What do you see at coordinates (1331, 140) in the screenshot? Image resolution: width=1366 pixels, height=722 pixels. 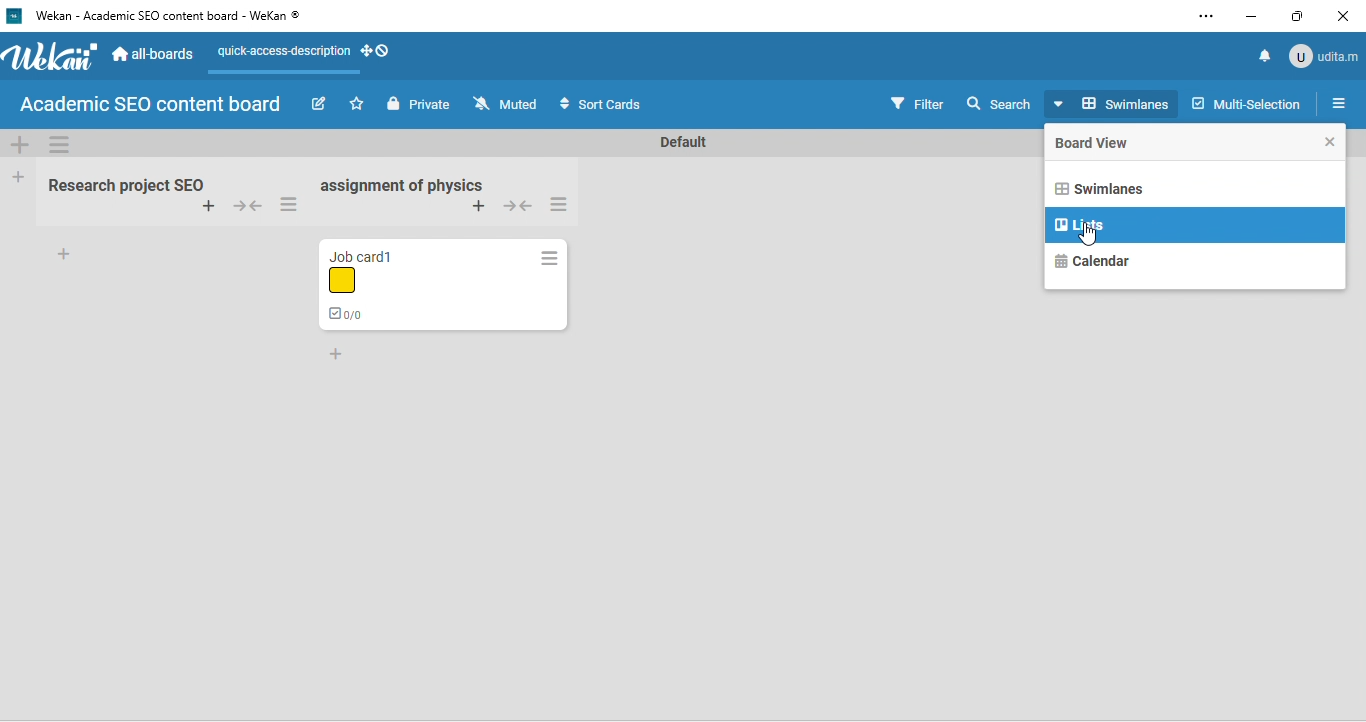 I see `Close` at bounding box center [1331, 140].